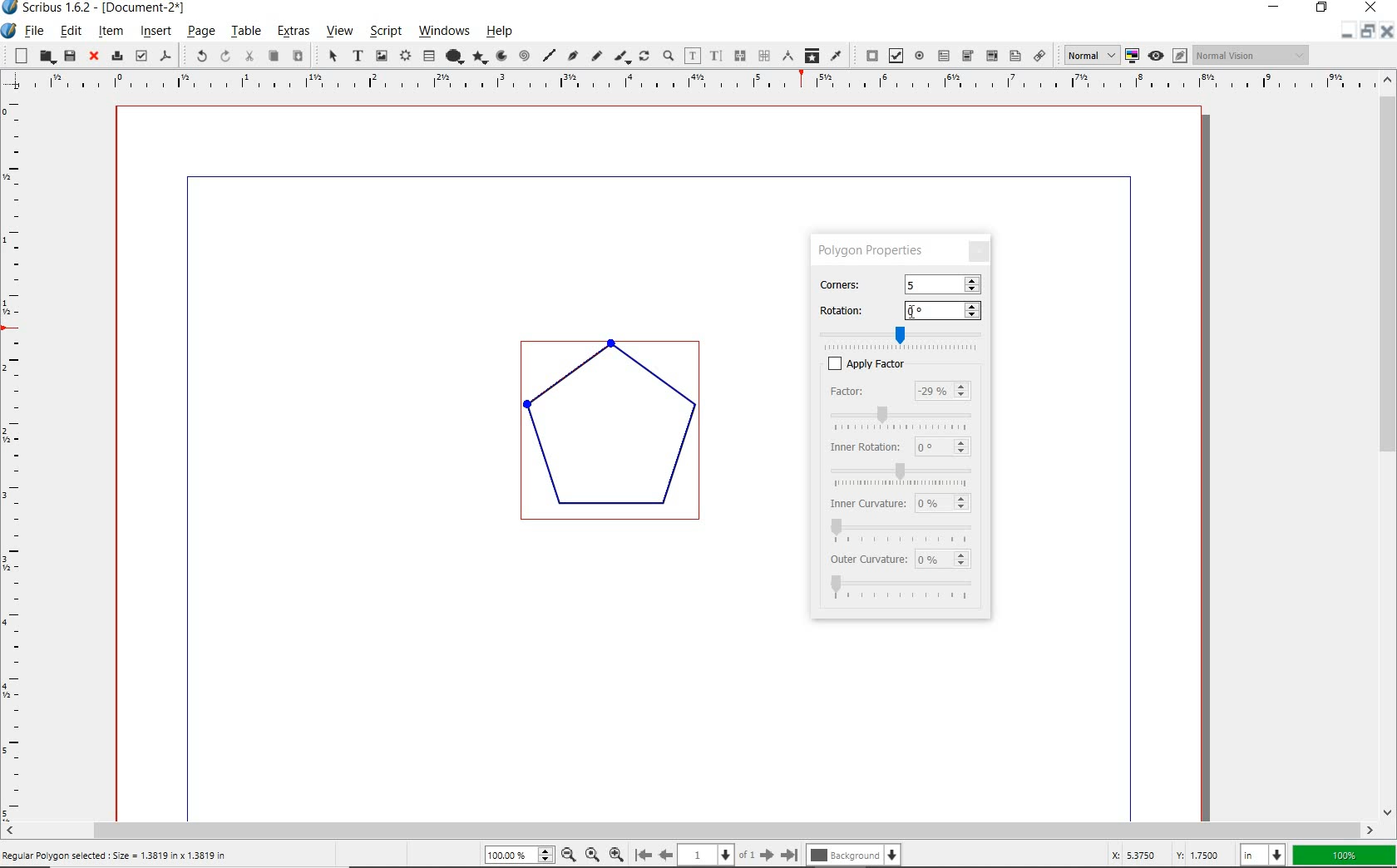 The height and width of the screenshot is (868, 1397). Describe the element at coordinates (871, 250) in the screenshot. I see `POLYGON PROPERTIES` at that location.